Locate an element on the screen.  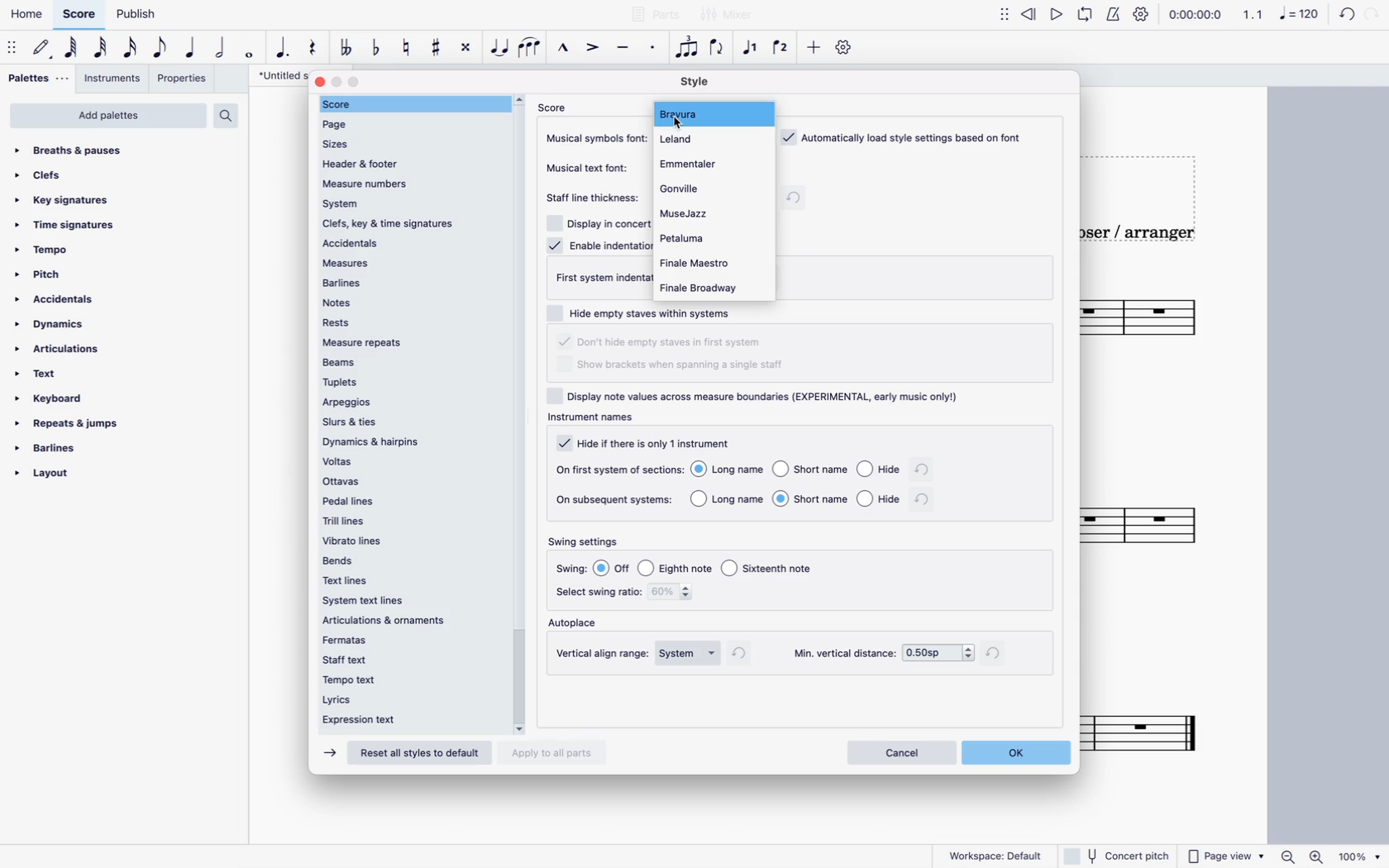
bends is located at coordinates (413, 560).